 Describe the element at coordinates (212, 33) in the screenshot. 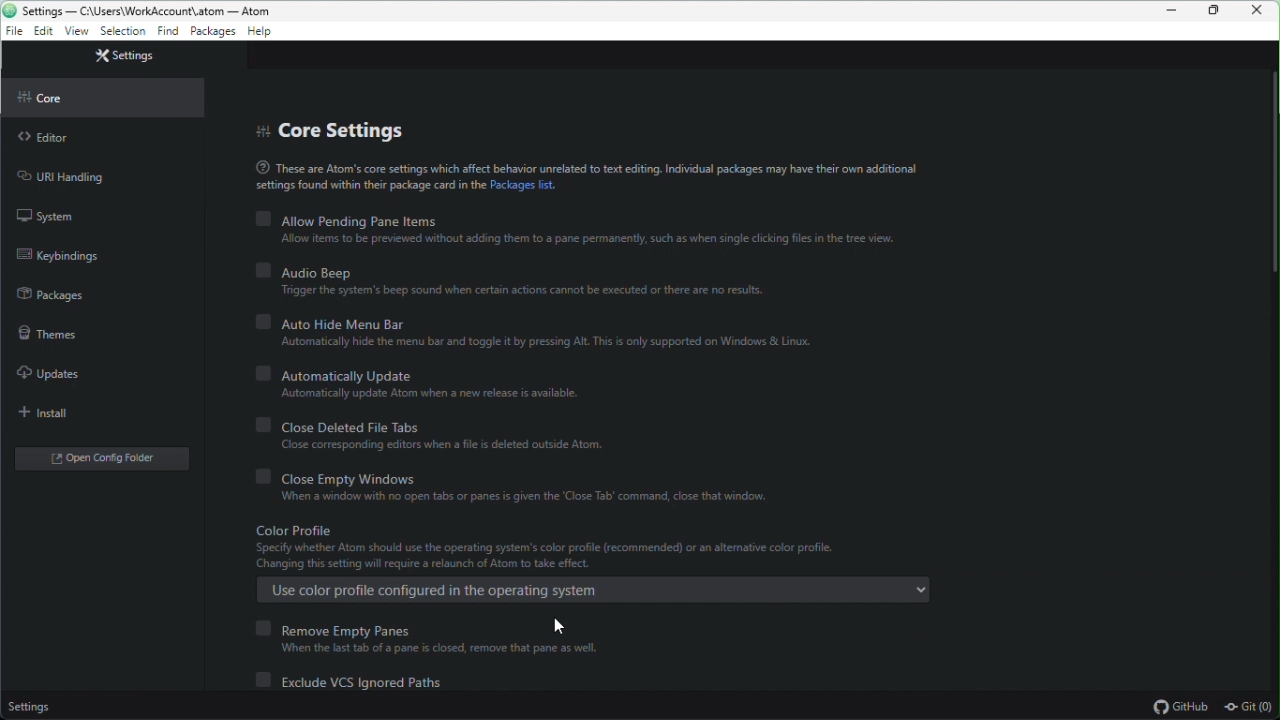

I see `Packages` at that location.